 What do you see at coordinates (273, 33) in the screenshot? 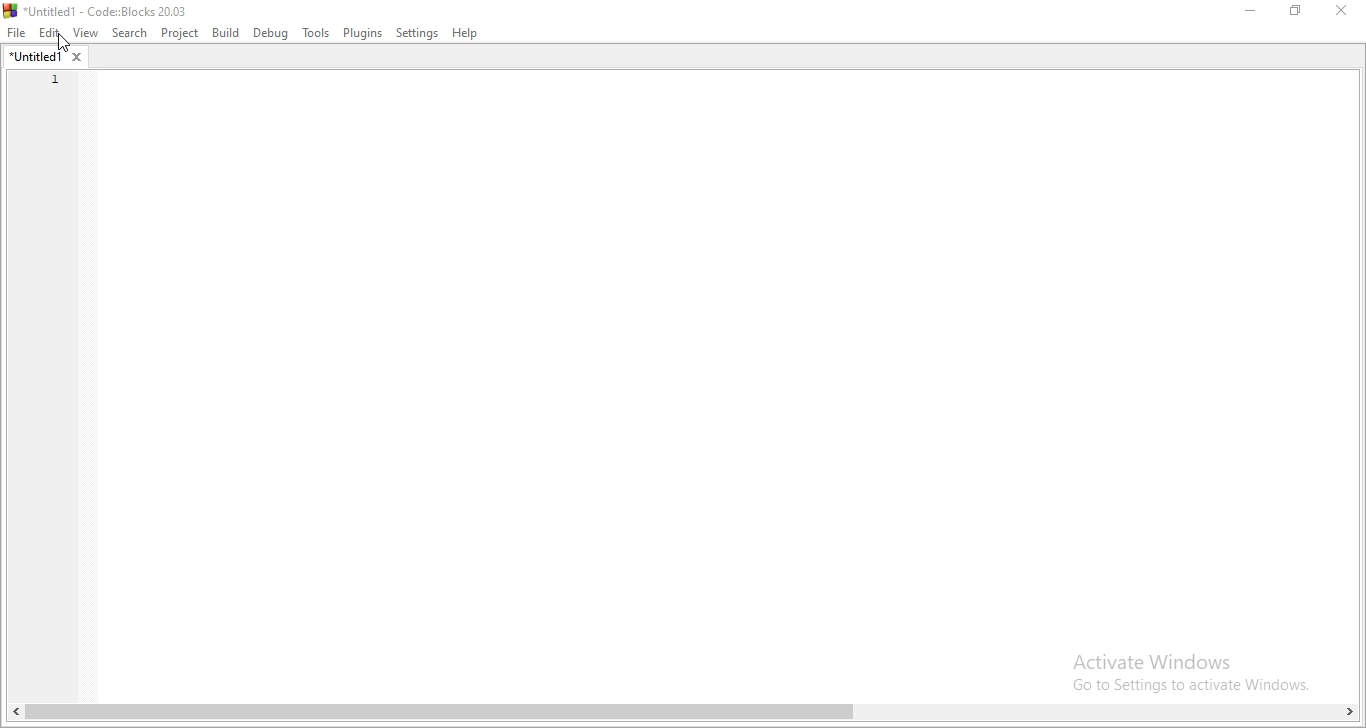
I see `debug` at bounding box center [273, 33].